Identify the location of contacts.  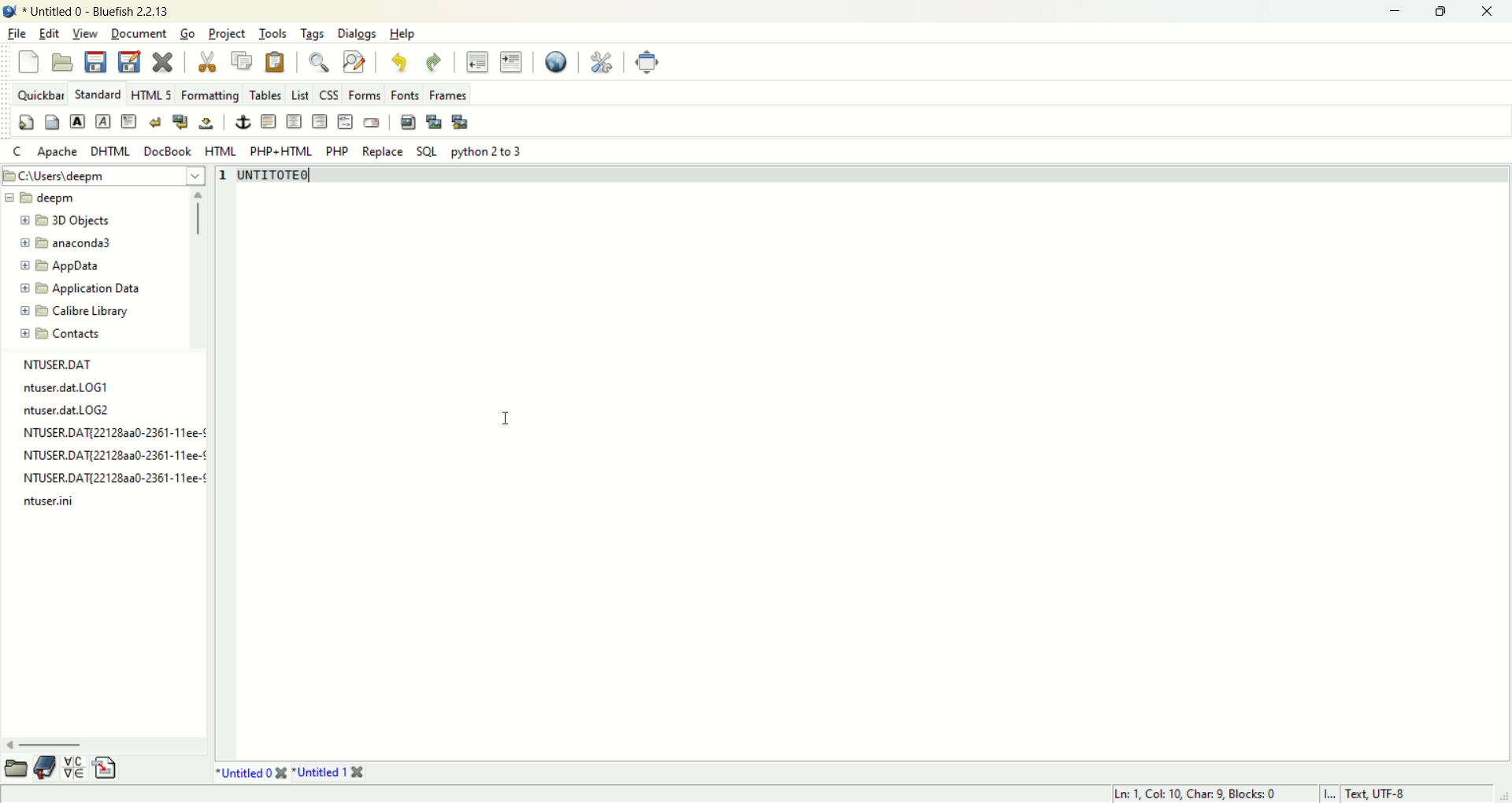
(57, 335).